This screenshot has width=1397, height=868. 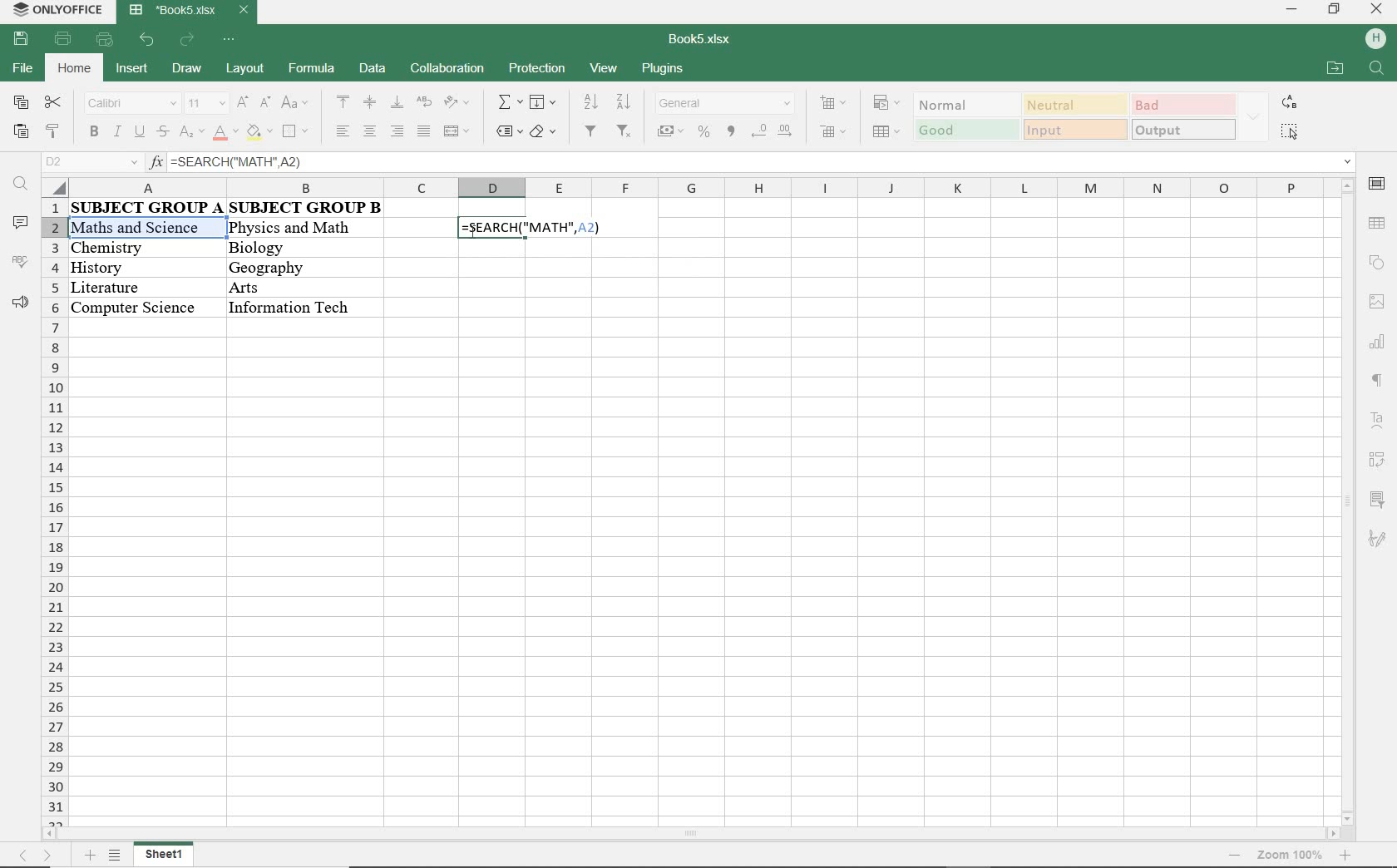 What do you see at coordinates (284, 287) in the screenshot?
I see `arts` at bounding box center [284, 287].